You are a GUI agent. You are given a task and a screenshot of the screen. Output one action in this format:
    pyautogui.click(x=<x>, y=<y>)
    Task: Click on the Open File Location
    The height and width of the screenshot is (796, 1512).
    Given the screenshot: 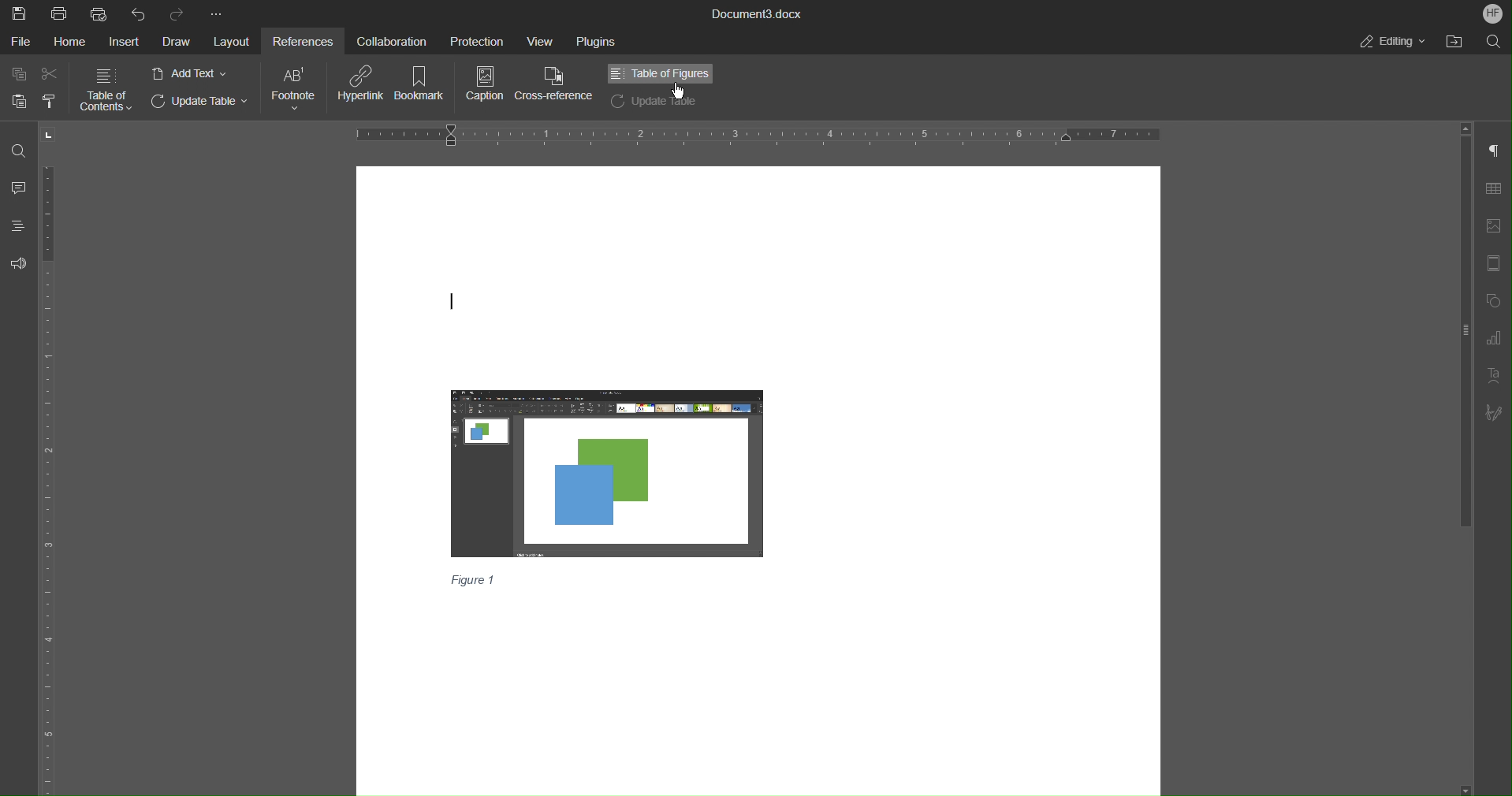 What is the action you would take?
    pyautogui.click(x=1460, y=43)
    